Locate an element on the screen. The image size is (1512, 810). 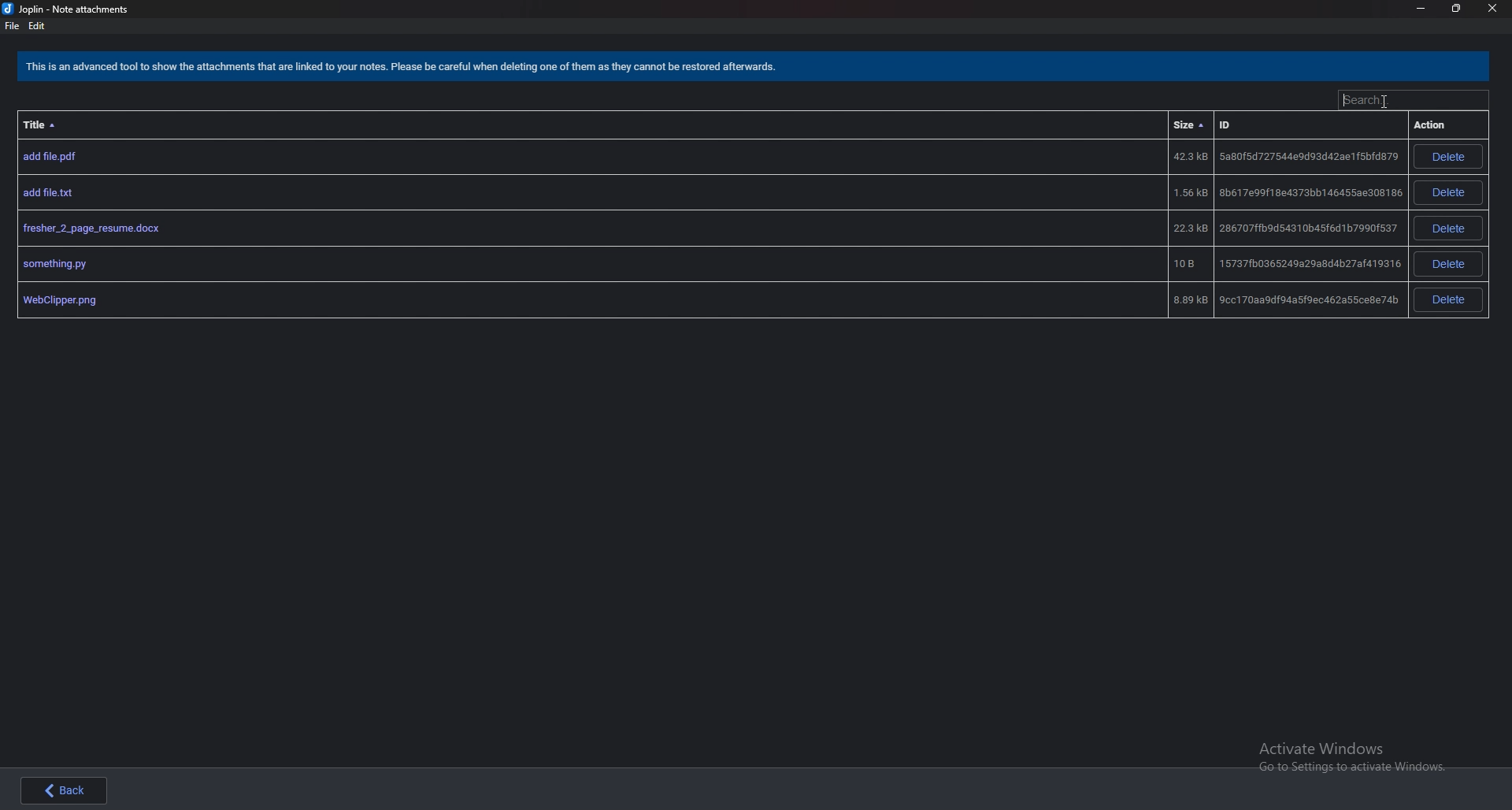
title is located at coordinates (48, 124).